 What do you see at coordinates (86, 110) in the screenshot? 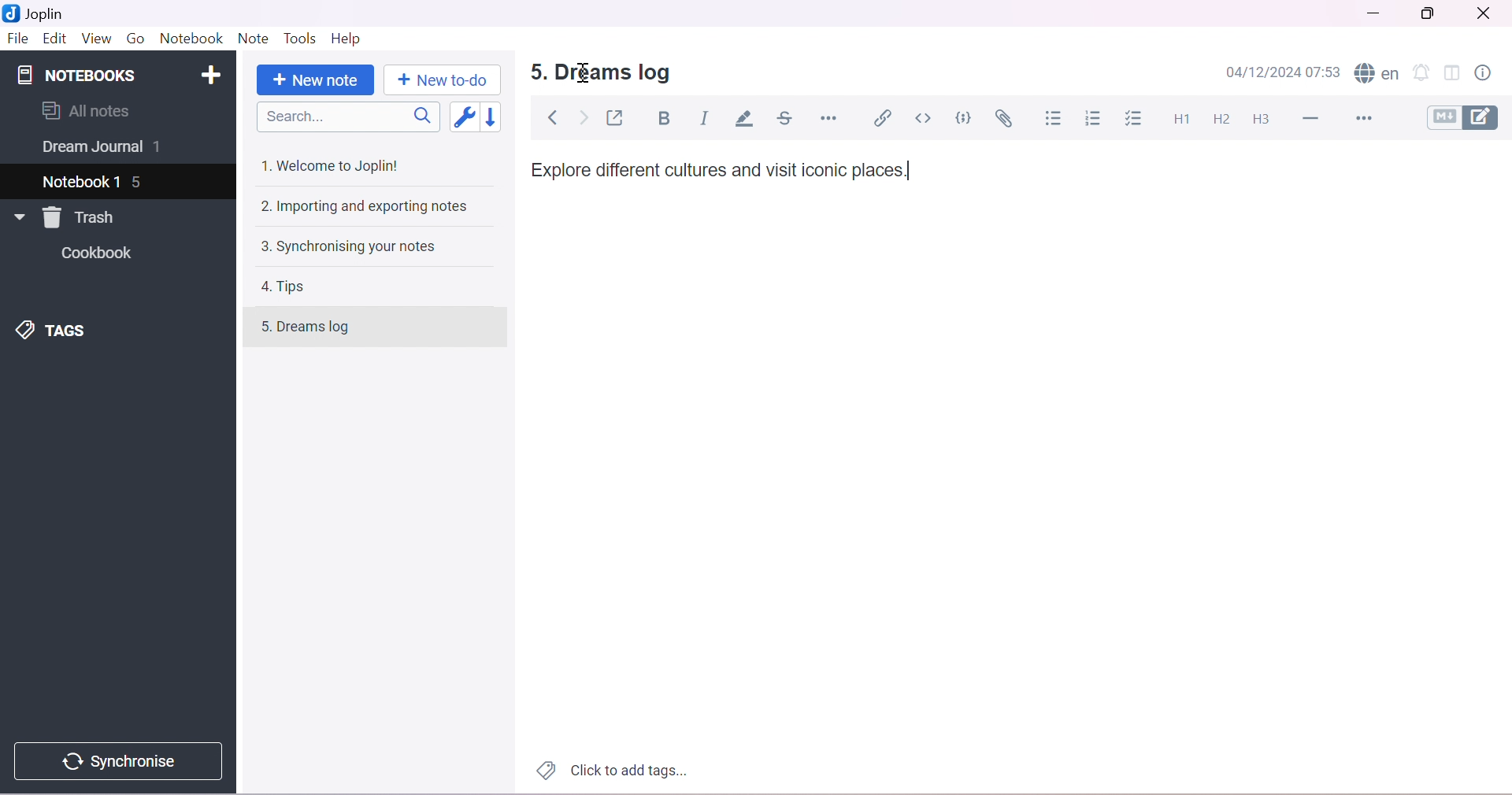
I see `All notes` at bounding box center [86, 110].